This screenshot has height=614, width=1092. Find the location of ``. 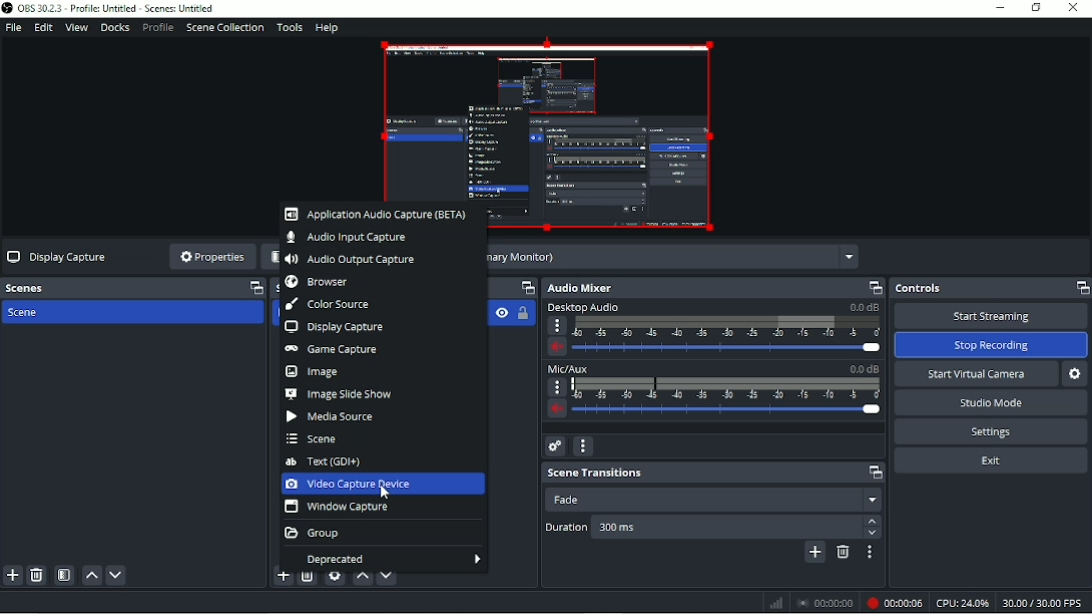

 is located at coordinates (725, 527).